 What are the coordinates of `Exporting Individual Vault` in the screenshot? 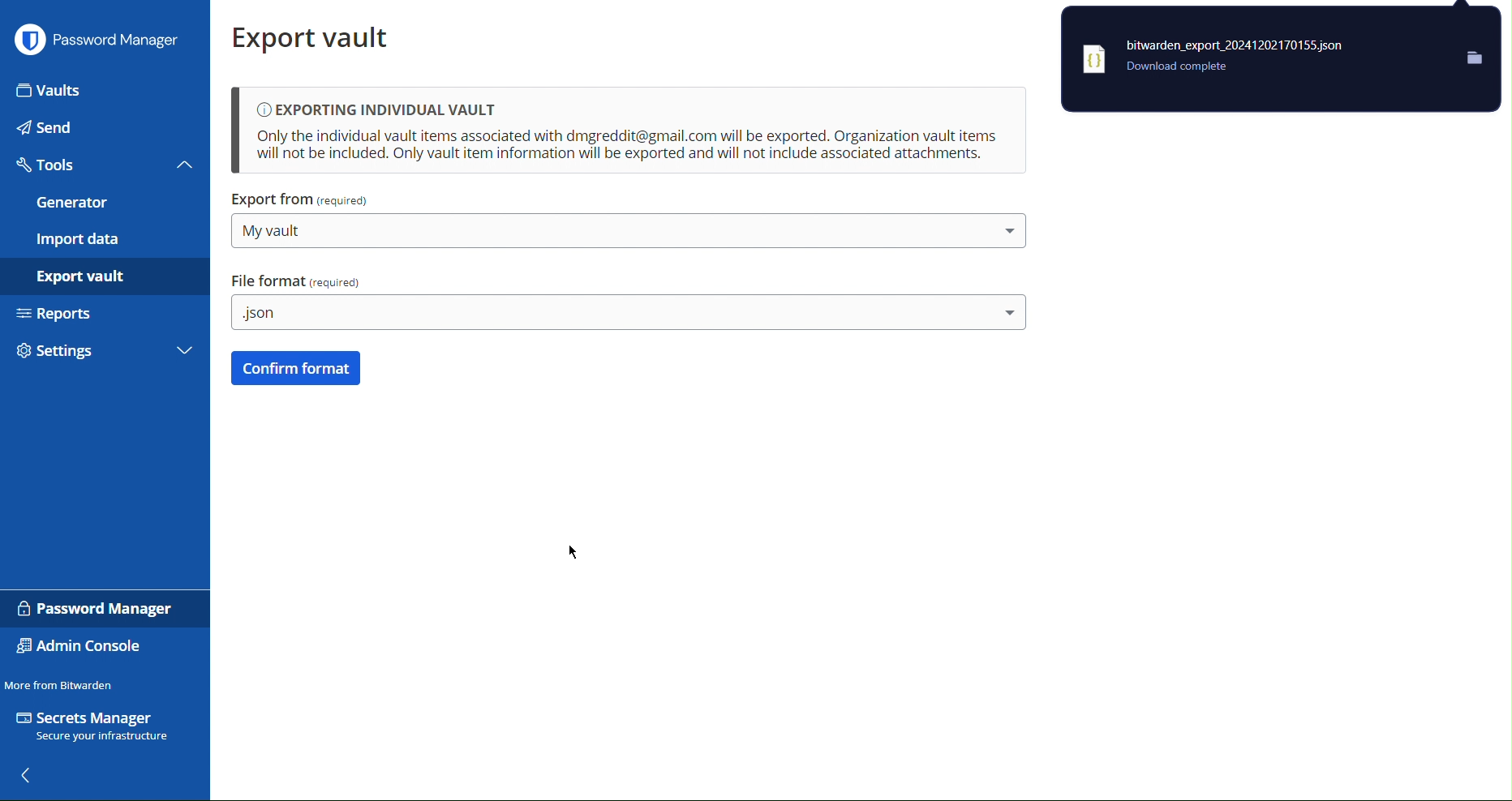 It's located at (632, 132).